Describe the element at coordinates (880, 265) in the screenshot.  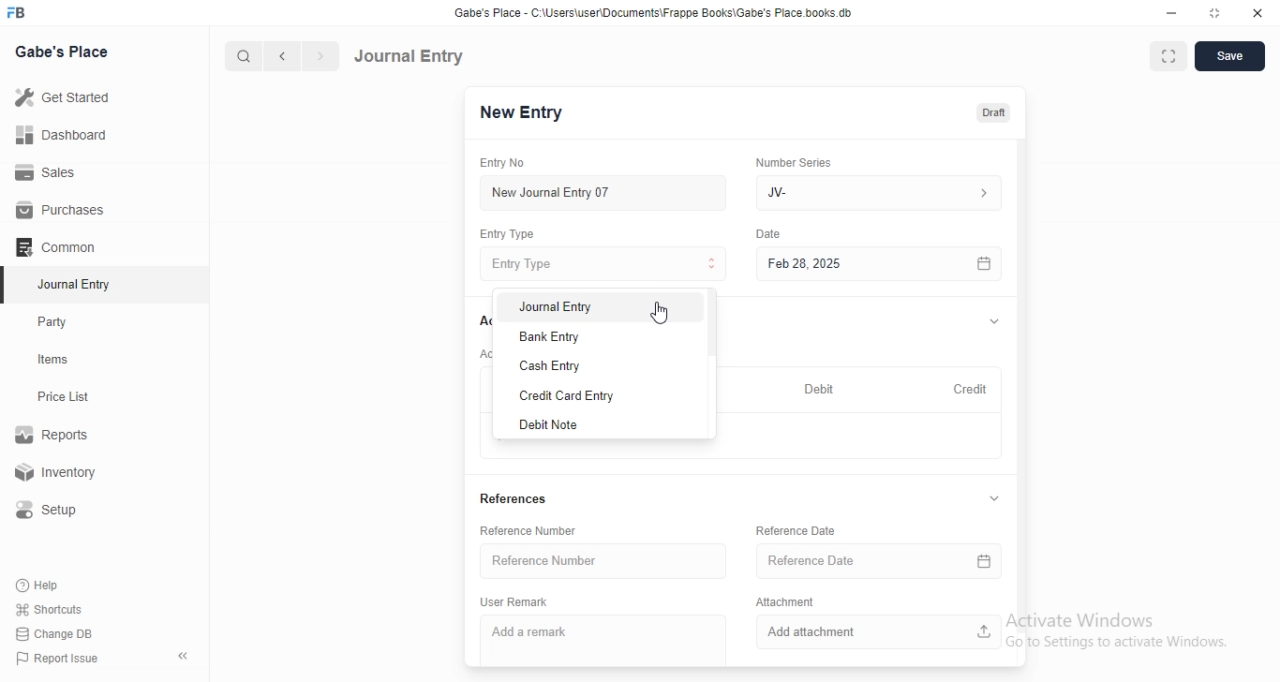
I see `Feb 28, 2025` at that location.